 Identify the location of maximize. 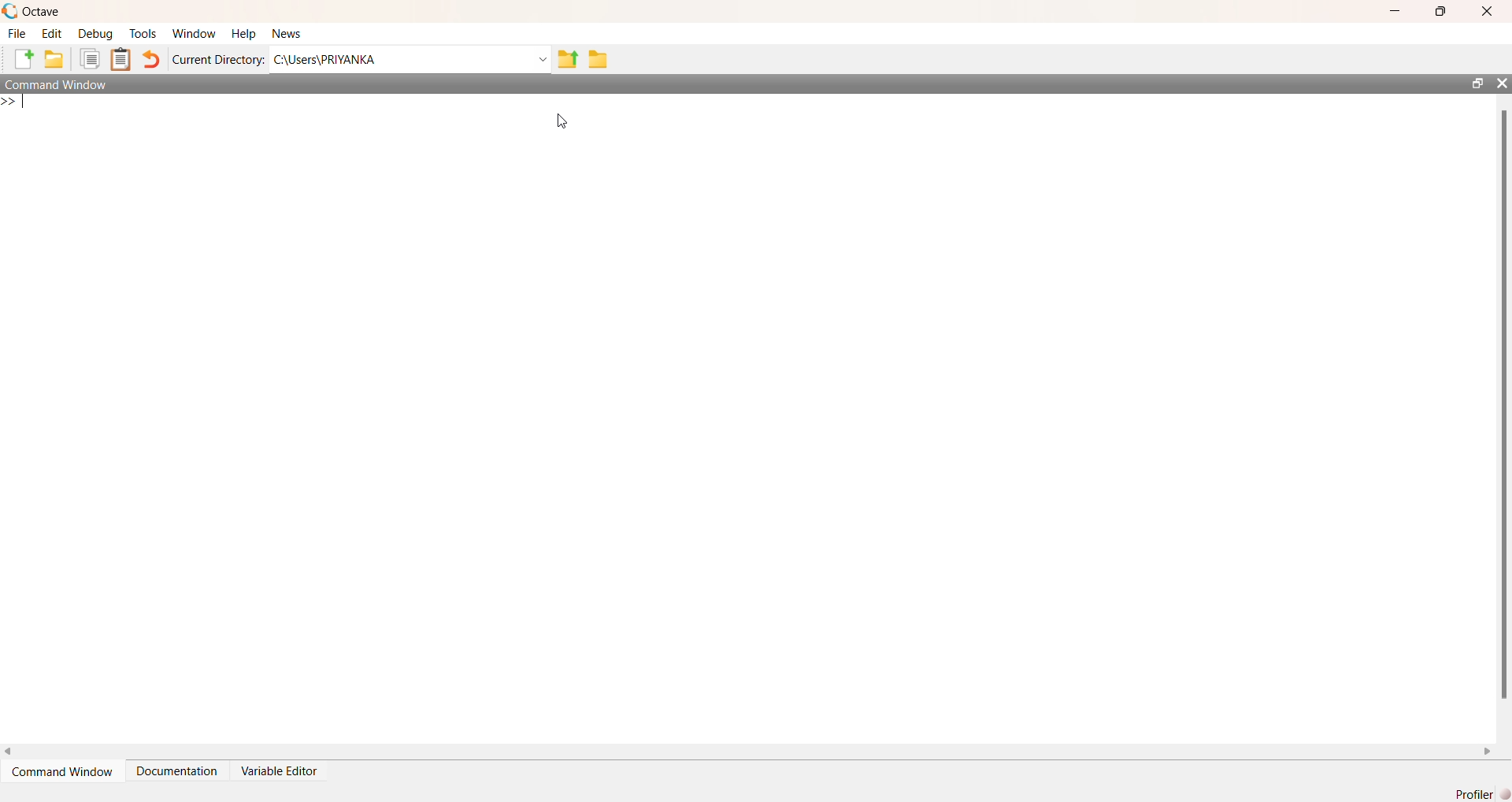
(1443, 9).